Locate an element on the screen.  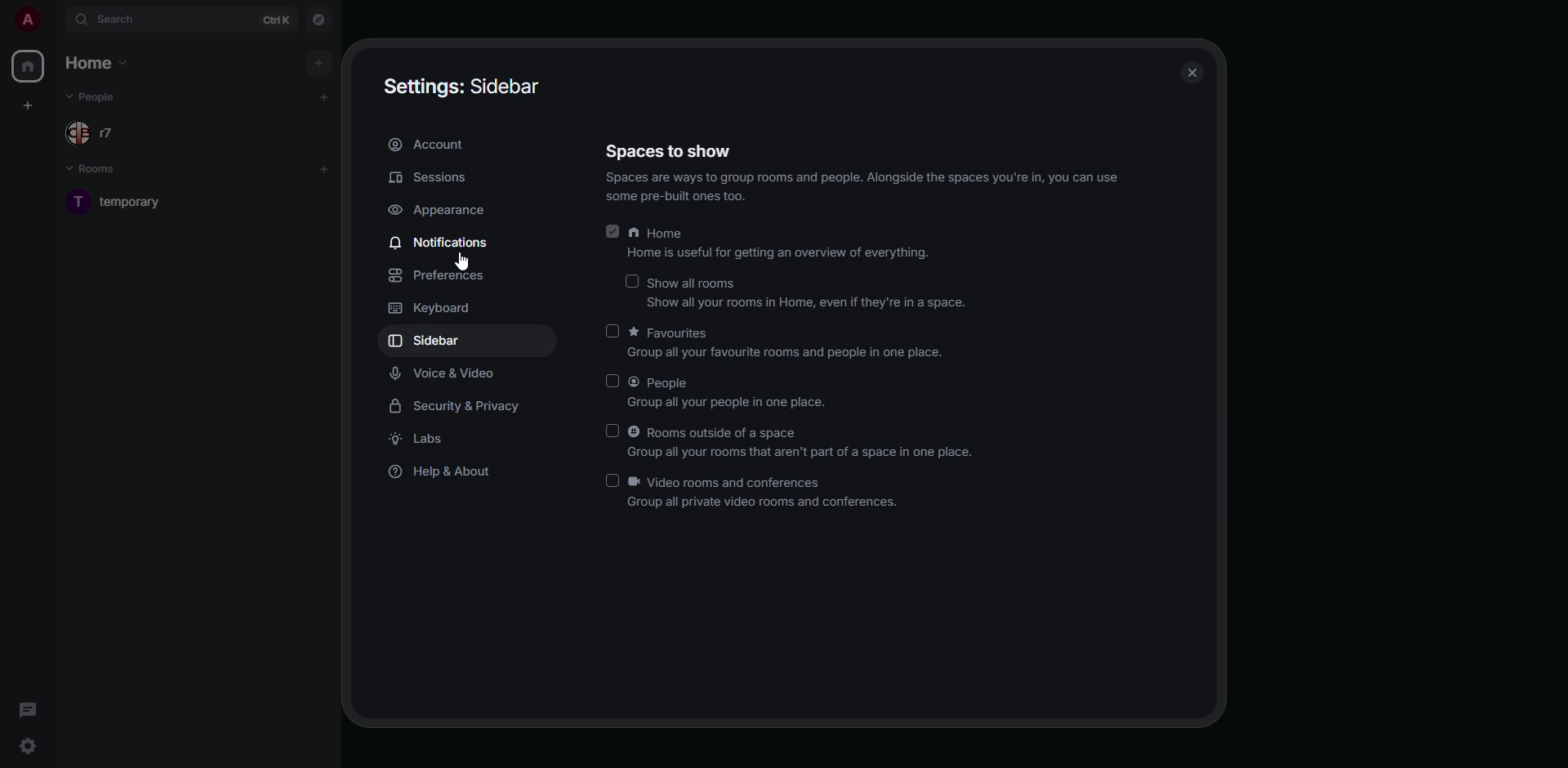
sessions is located at coordinates (434, 177).